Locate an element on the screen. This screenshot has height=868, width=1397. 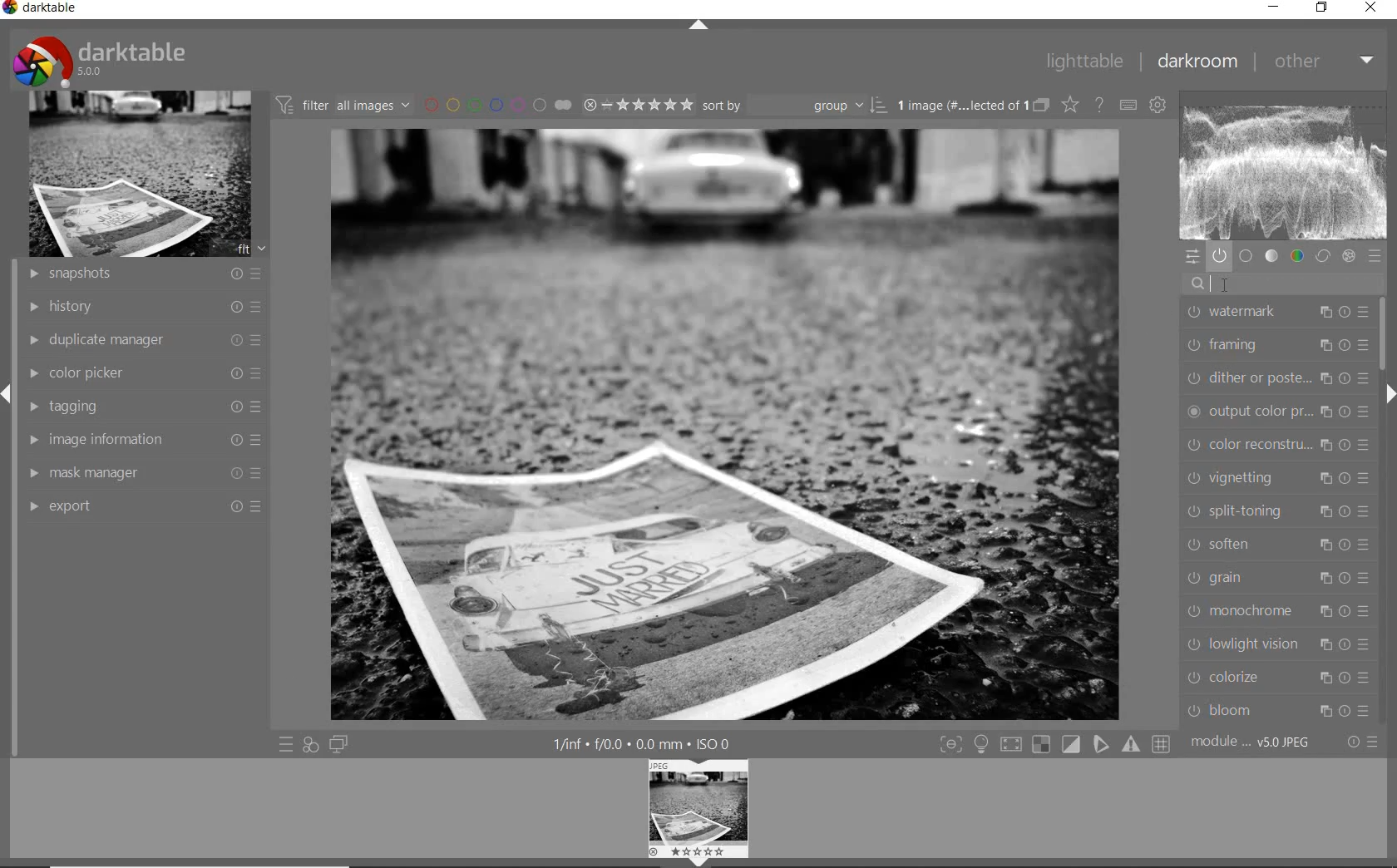
quick access panel is located at coordinates (1192, 257).